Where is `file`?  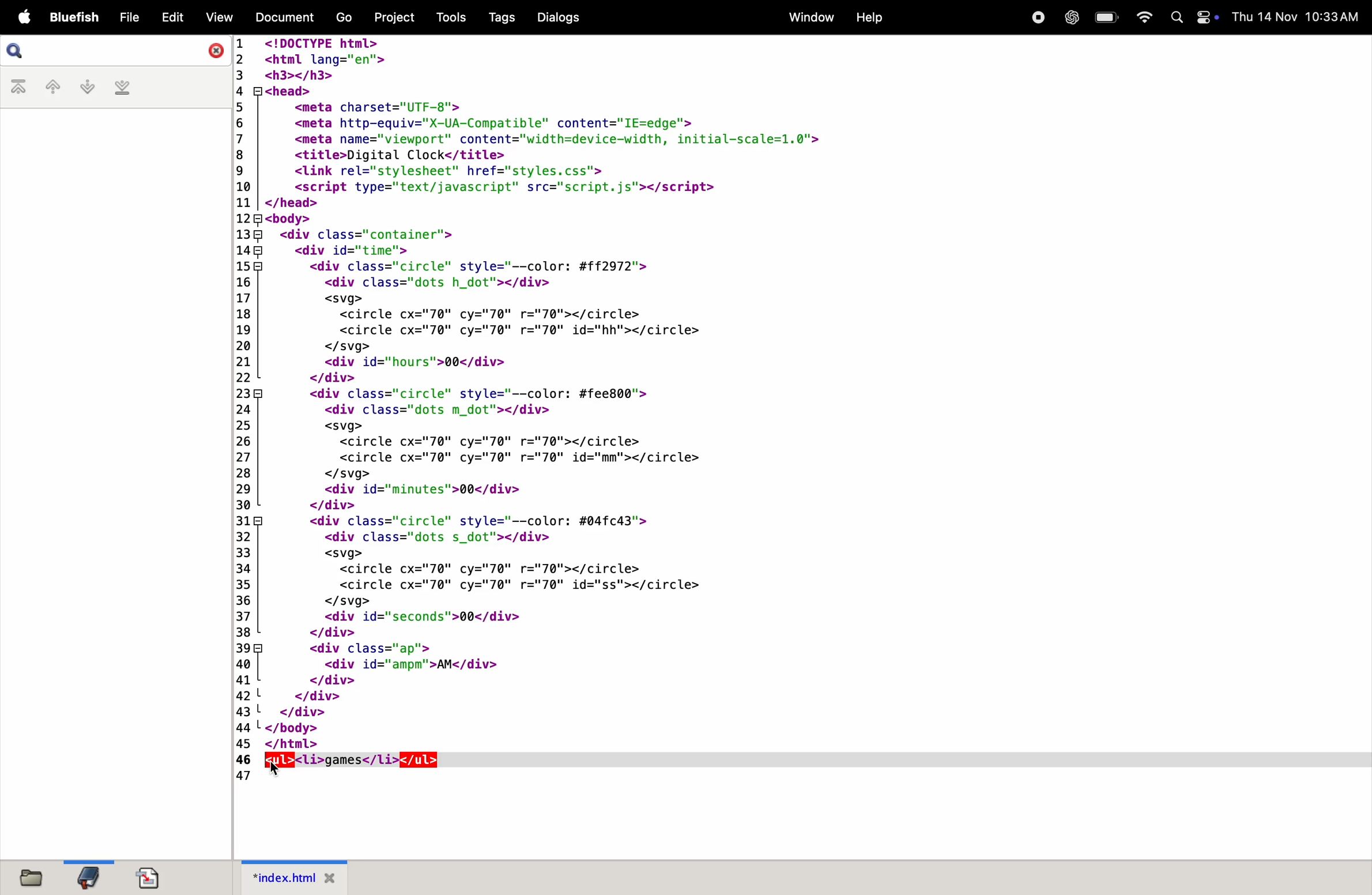 file is located at coordinates (29, 877).